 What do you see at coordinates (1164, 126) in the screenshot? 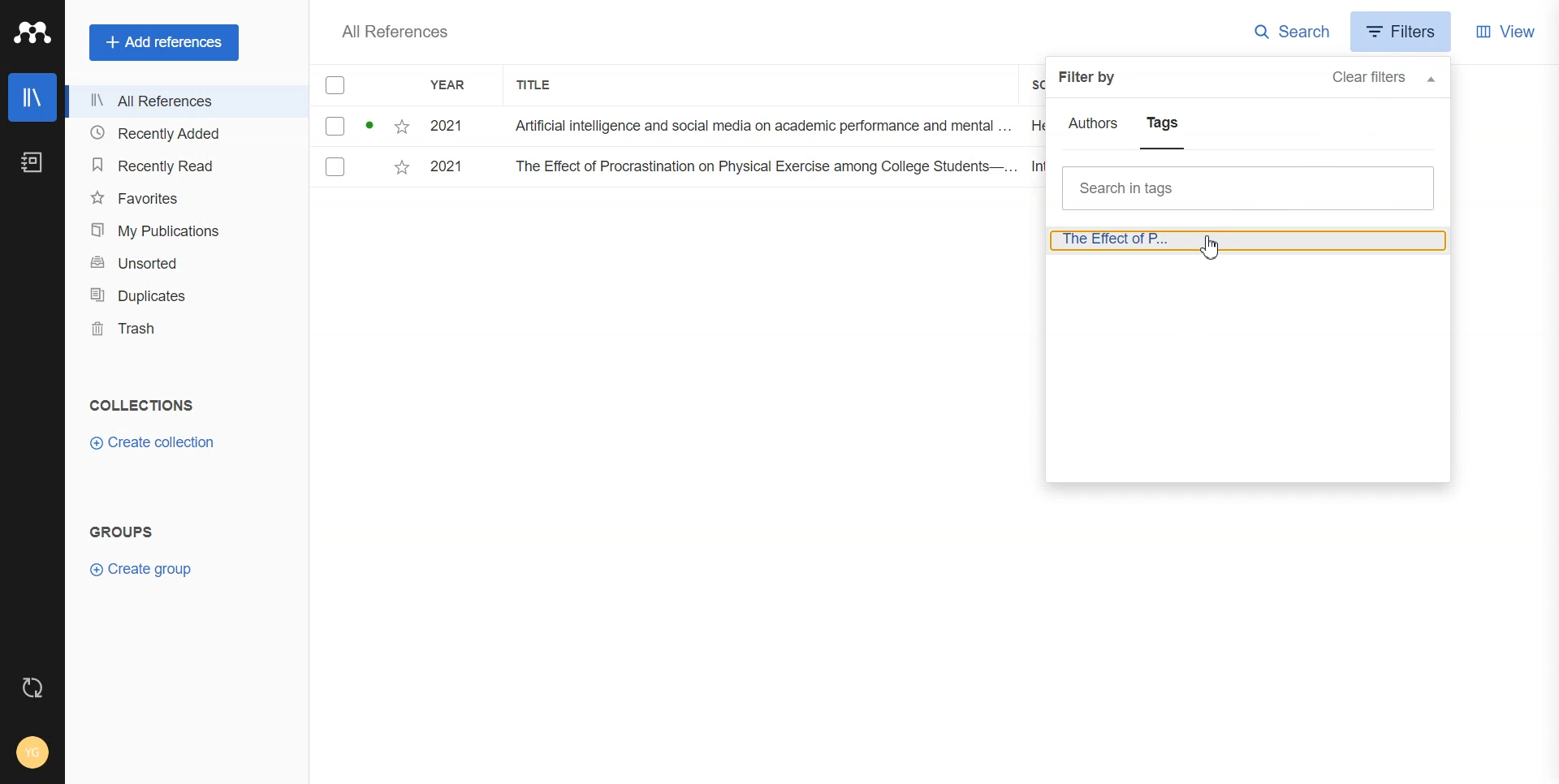
I see `Tags` at bounding box center [1164, 126].